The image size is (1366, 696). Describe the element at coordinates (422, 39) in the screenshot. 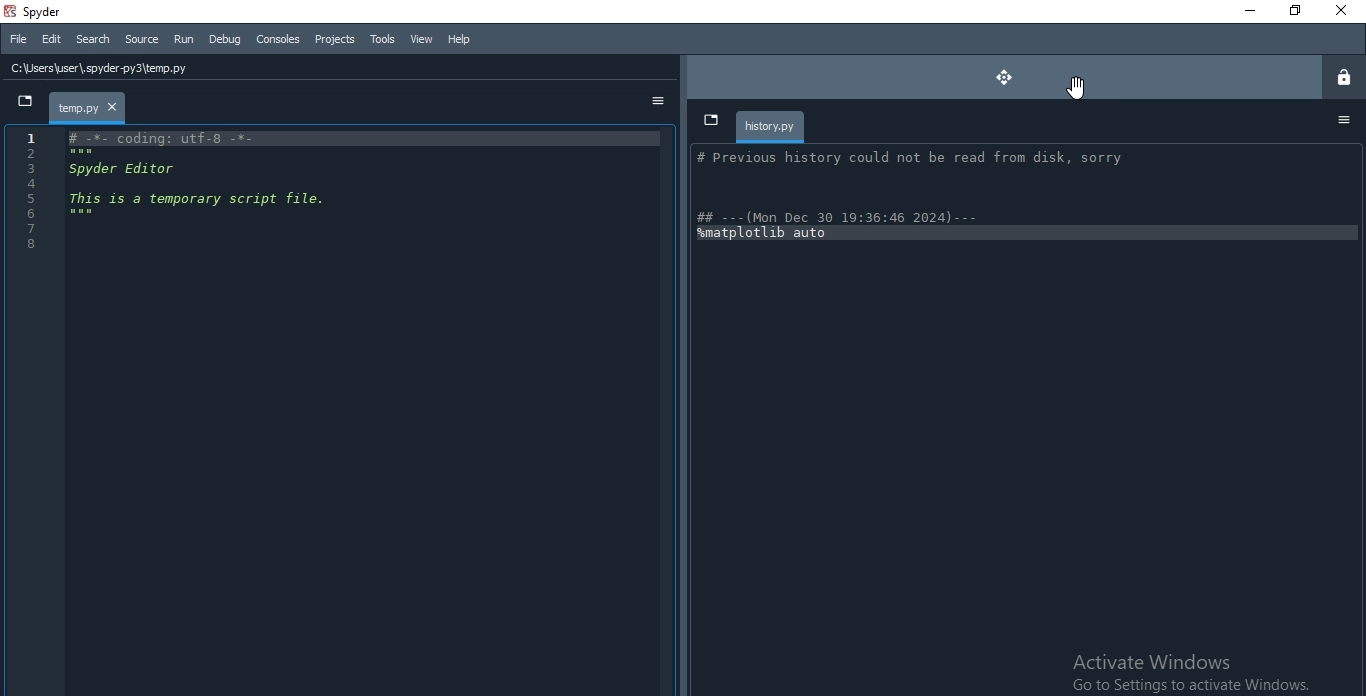

I see `View` at that location.